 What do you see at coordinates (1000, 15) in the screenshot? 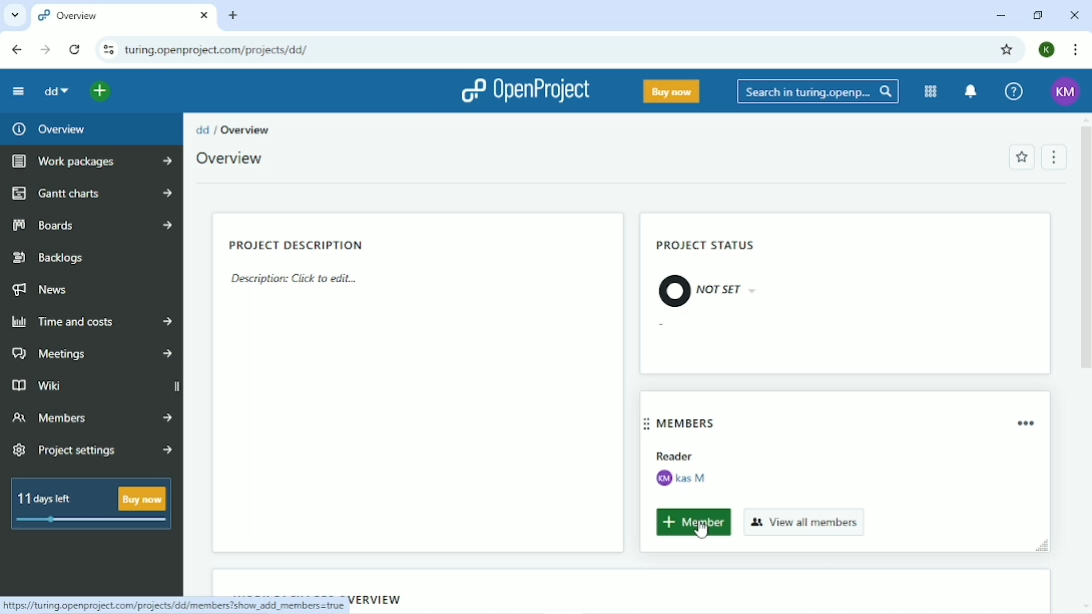
I see `Minimize` at bounding box center [1000, 15].